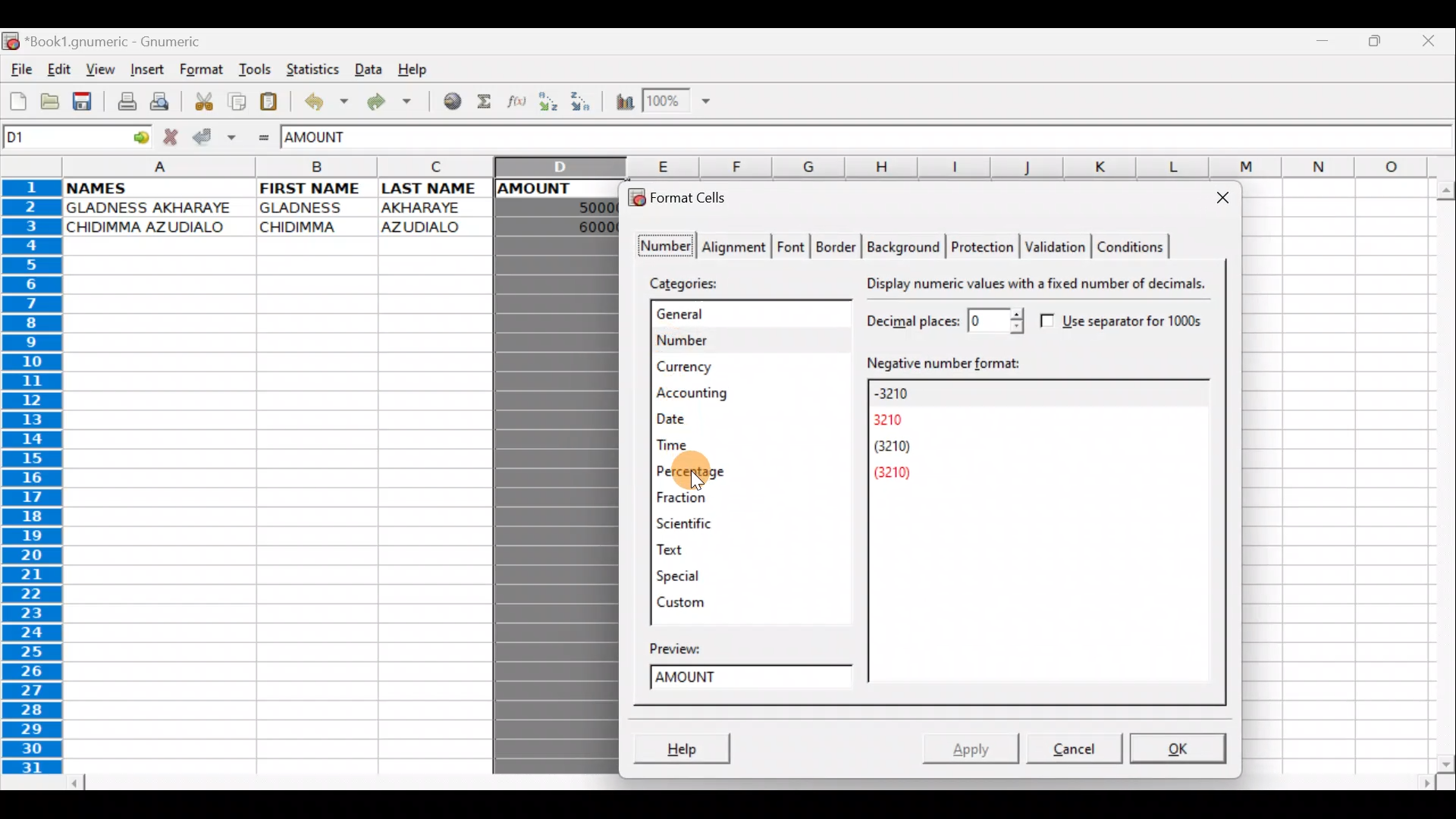 The height and width of the screenshot is (819, 1456). Describe the element at coordinates (619, 102) in the screenshot. I see `Insert Chart` at that location.